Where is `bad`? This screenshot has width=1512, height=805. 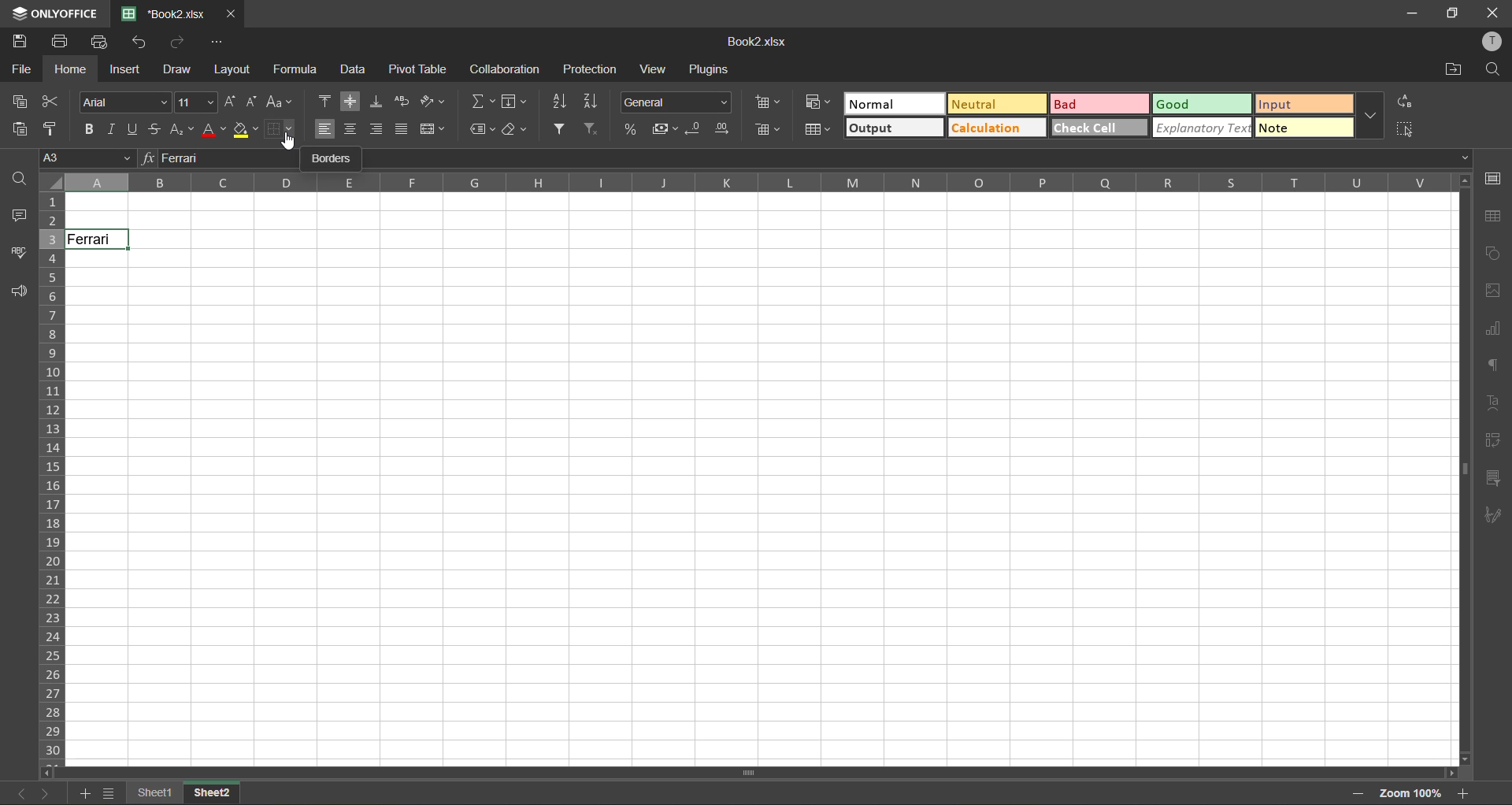
bad is located at coordinates (1097, 106).